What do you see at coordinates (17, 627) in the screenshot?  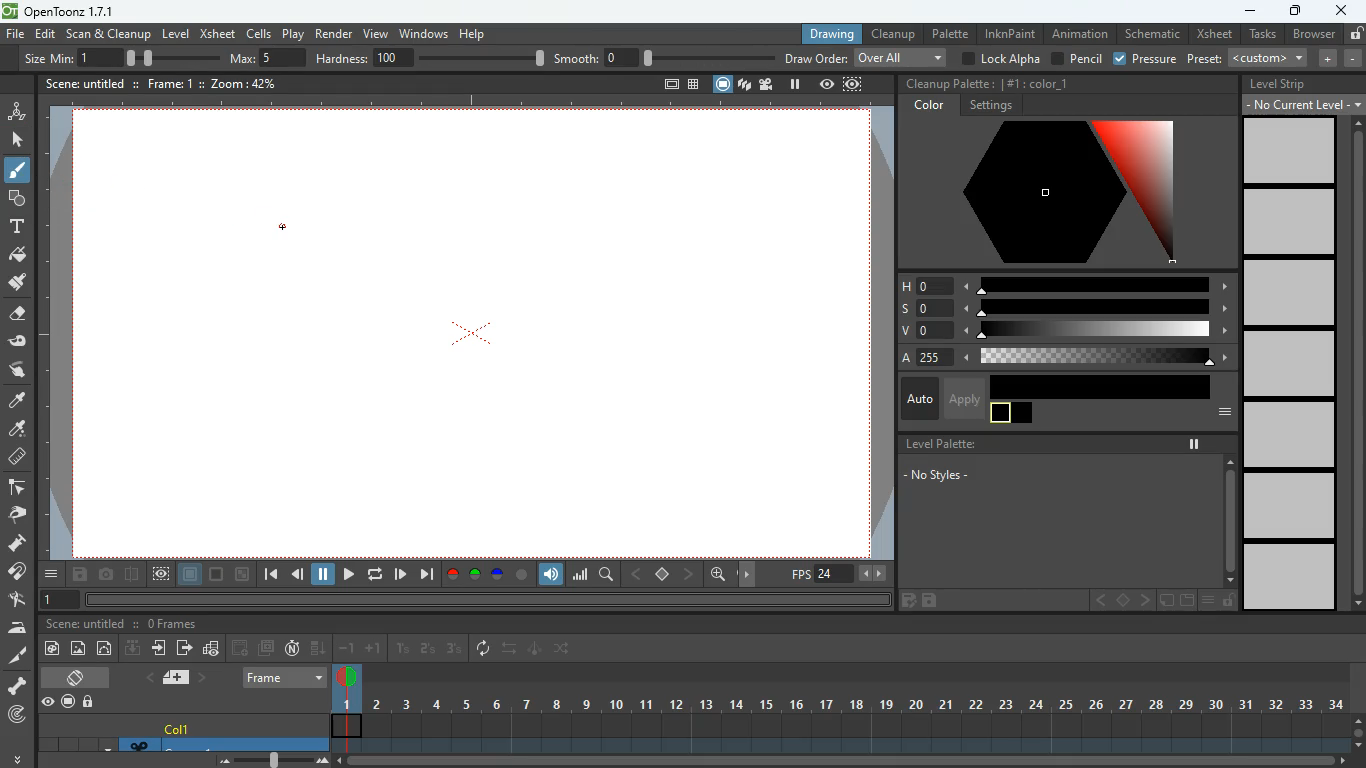 I see `iron` at bounding box center [17, 627].